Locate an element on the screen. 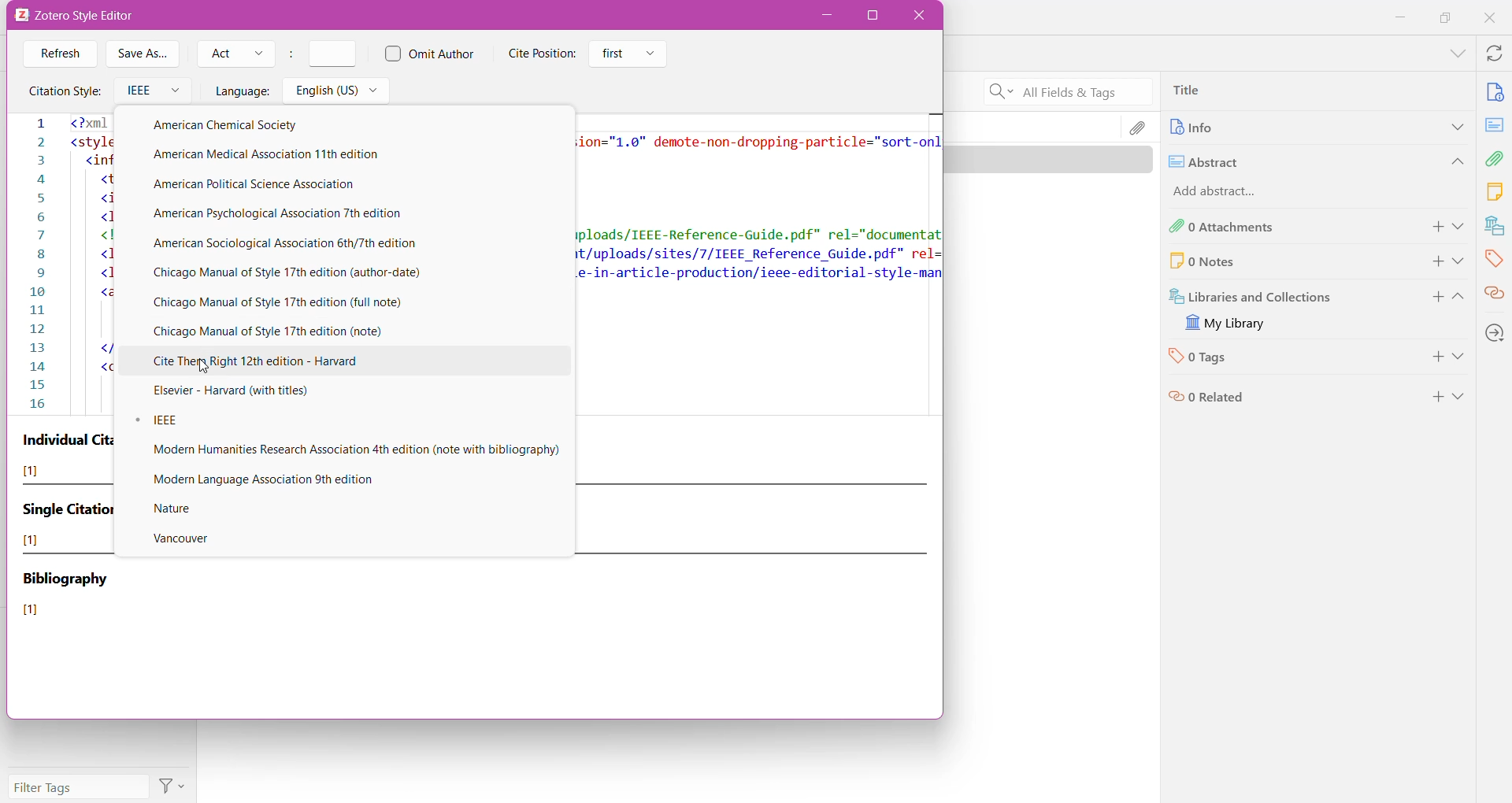  Modern Humanities Research Association 4th edition (note with Bibliography) is located at coordinates (354, 451).